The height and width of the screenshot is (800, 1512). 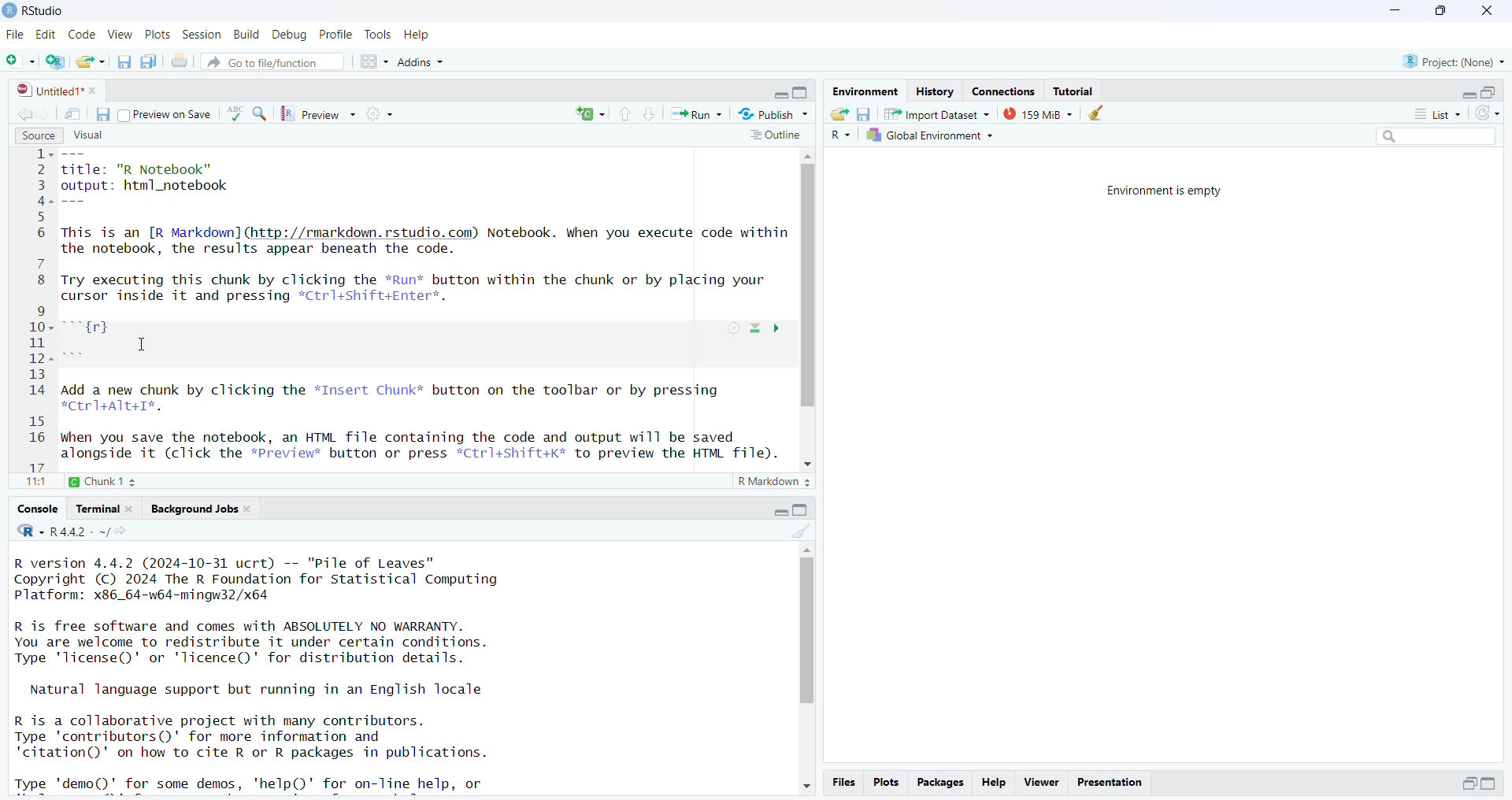 I want to click on debug, so click(x=291, y=35).